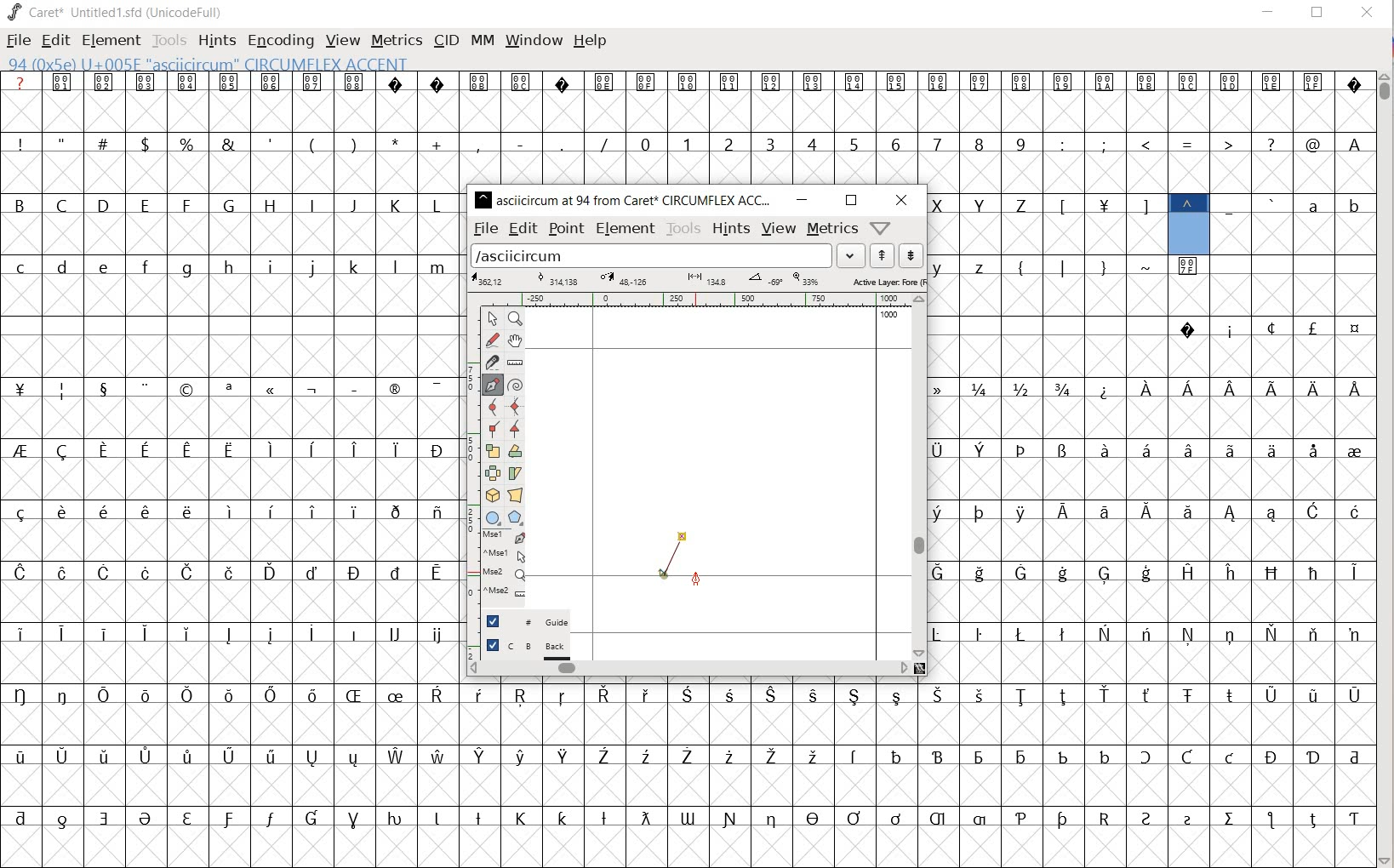  What do you see at coordinates (109, 40) in the screenshot?
I see `ELEMENT` at bounding box center [109, 40].